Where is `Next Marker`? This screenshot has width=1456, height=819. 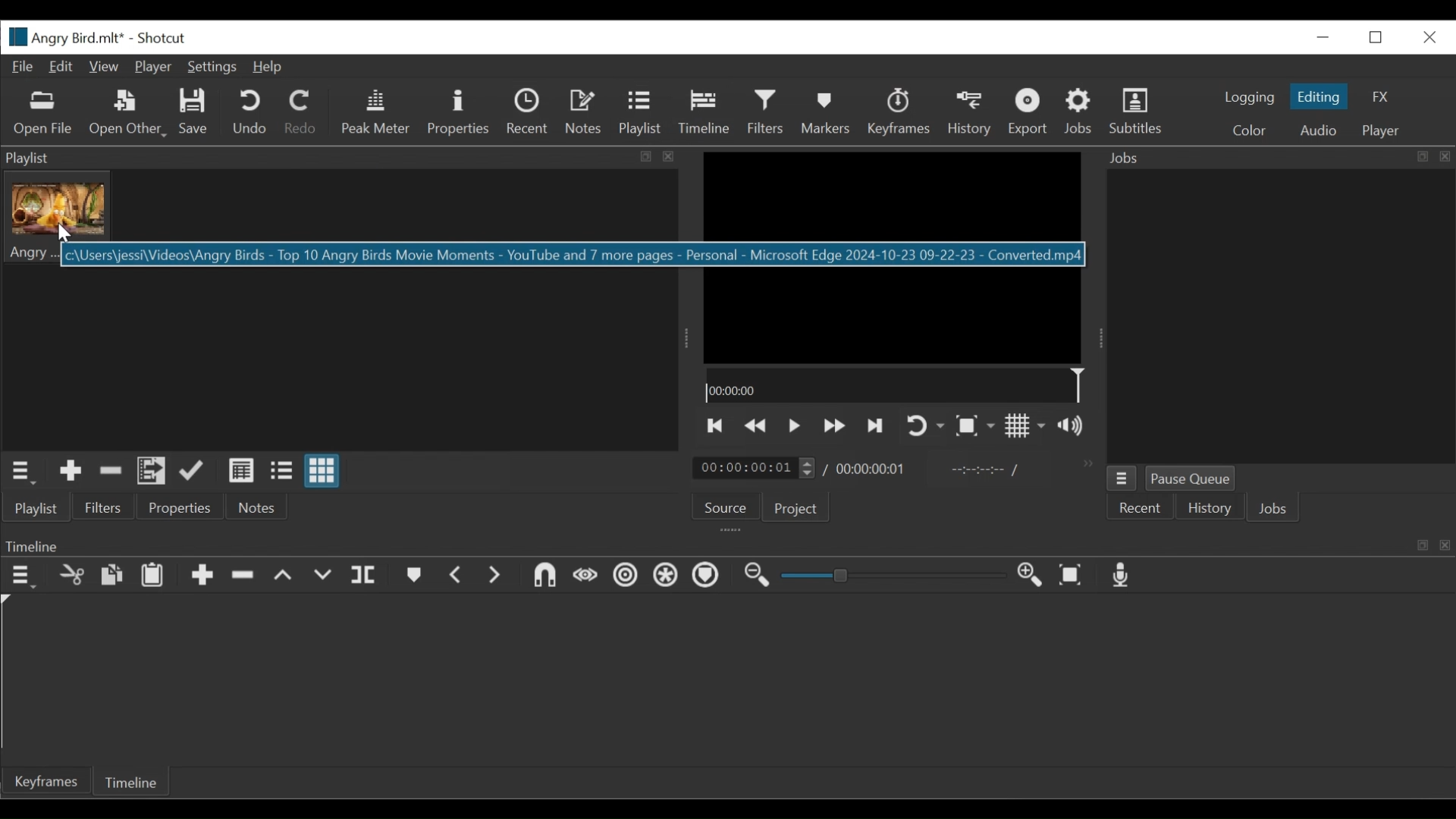 Next Marker is located at coordinates (498, 576).